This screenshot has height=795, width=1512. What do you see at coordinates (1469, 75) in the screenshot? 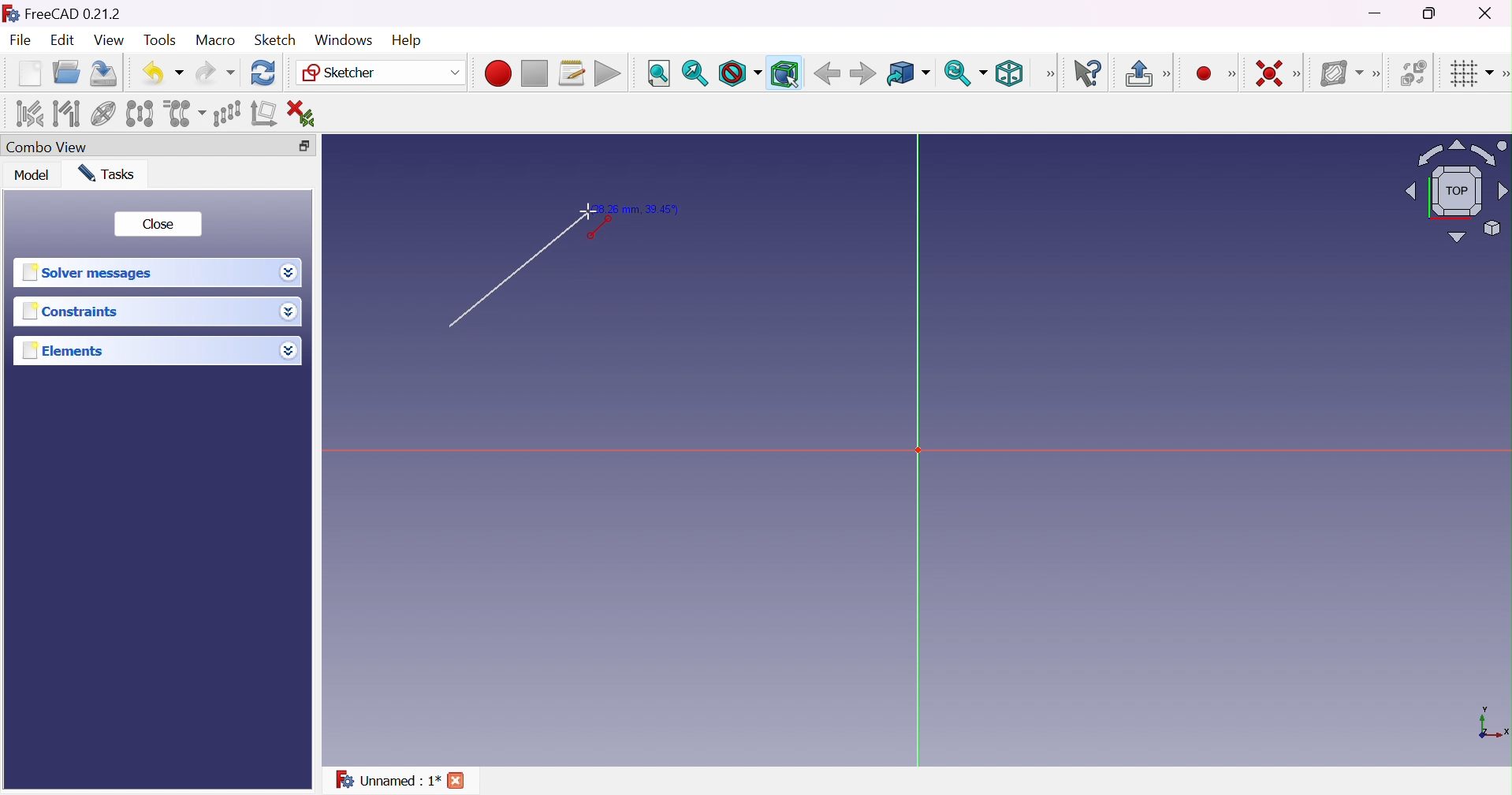
I see `Toggle grid` at bounding box center [1469, 75].